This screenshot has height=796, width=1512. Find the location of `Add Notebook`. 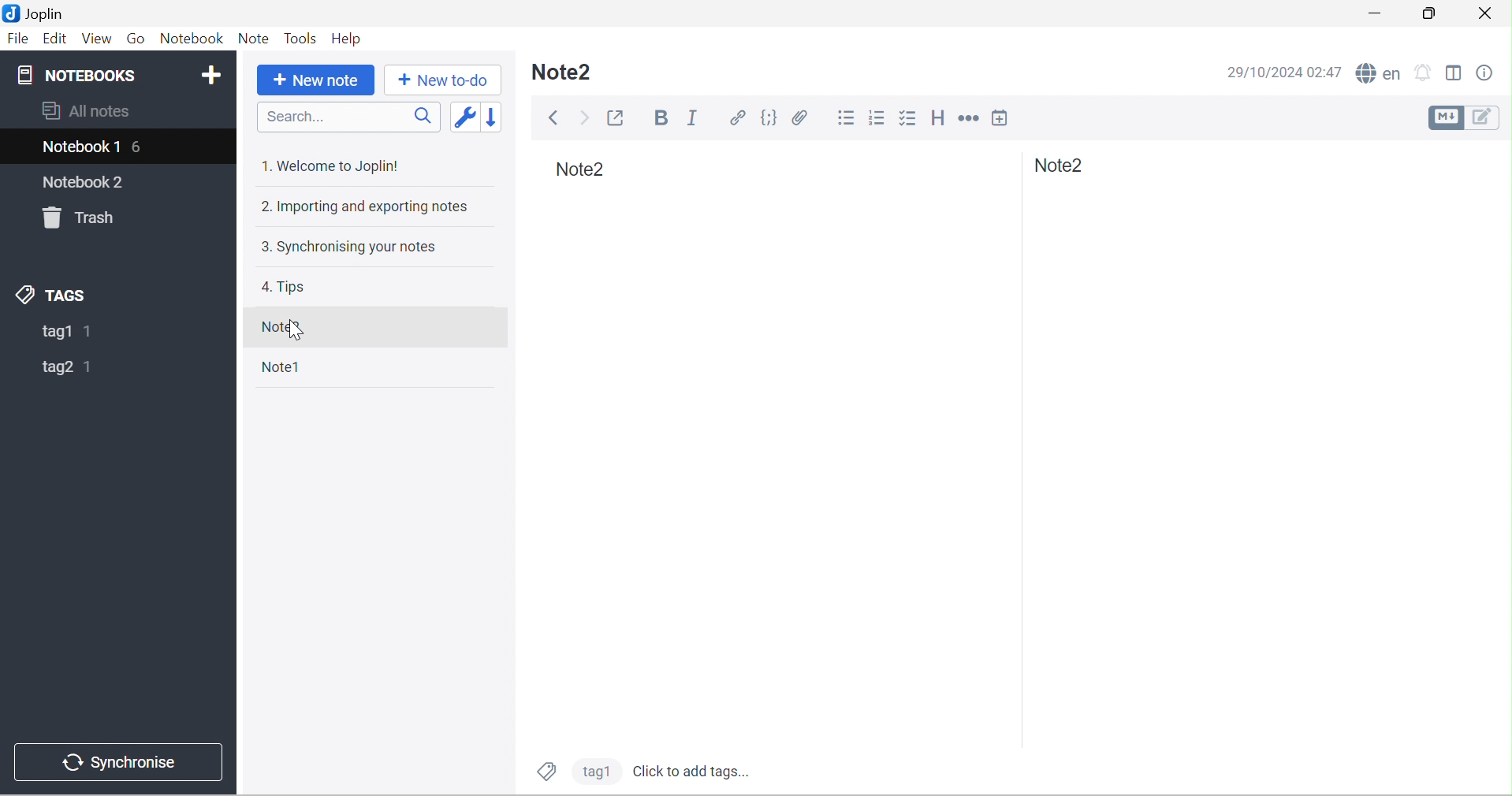

Add Notebook is located at coordinates (216, 76).